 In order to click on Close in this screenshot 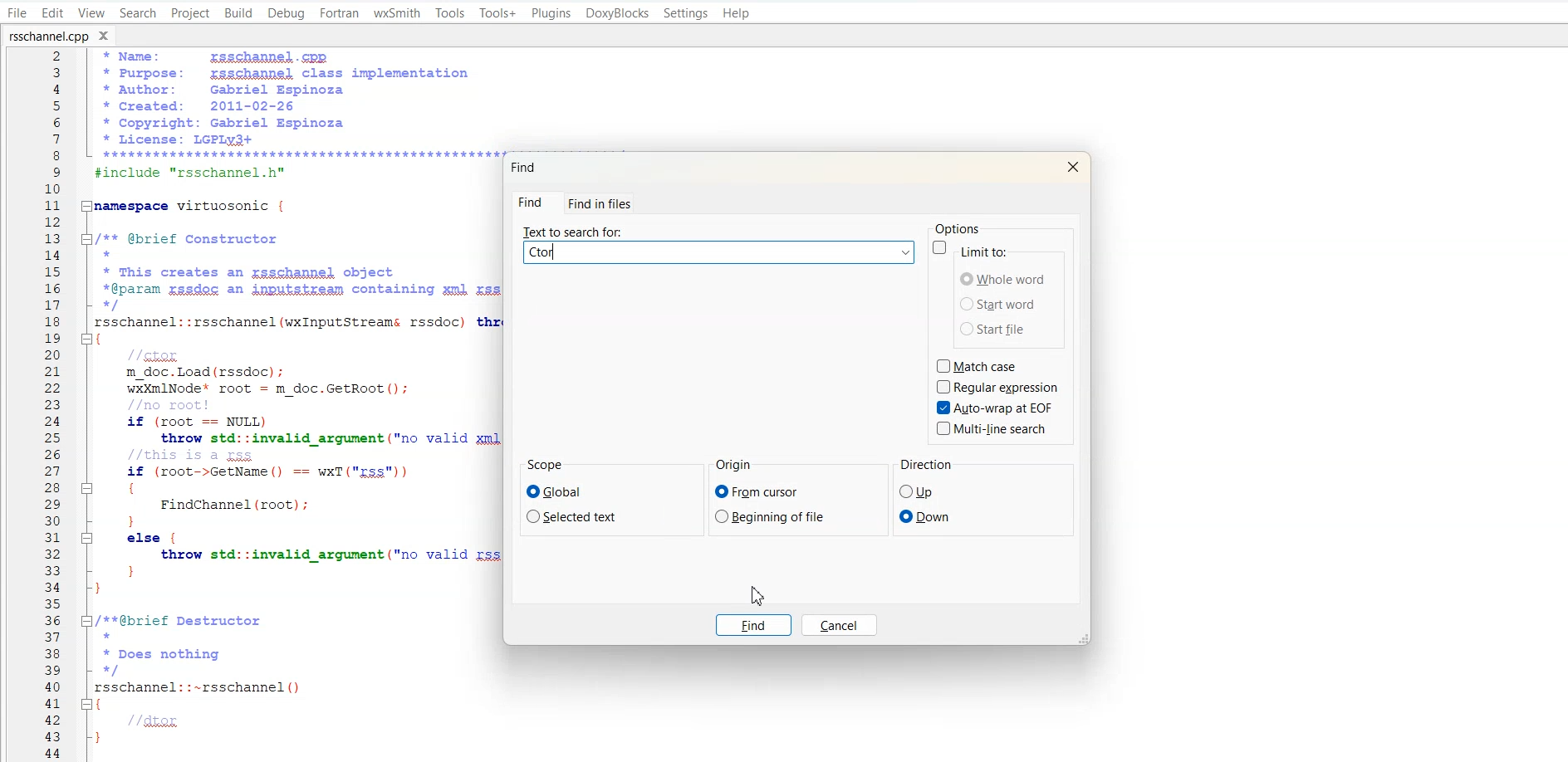, I will do `click(1071, 166)`.